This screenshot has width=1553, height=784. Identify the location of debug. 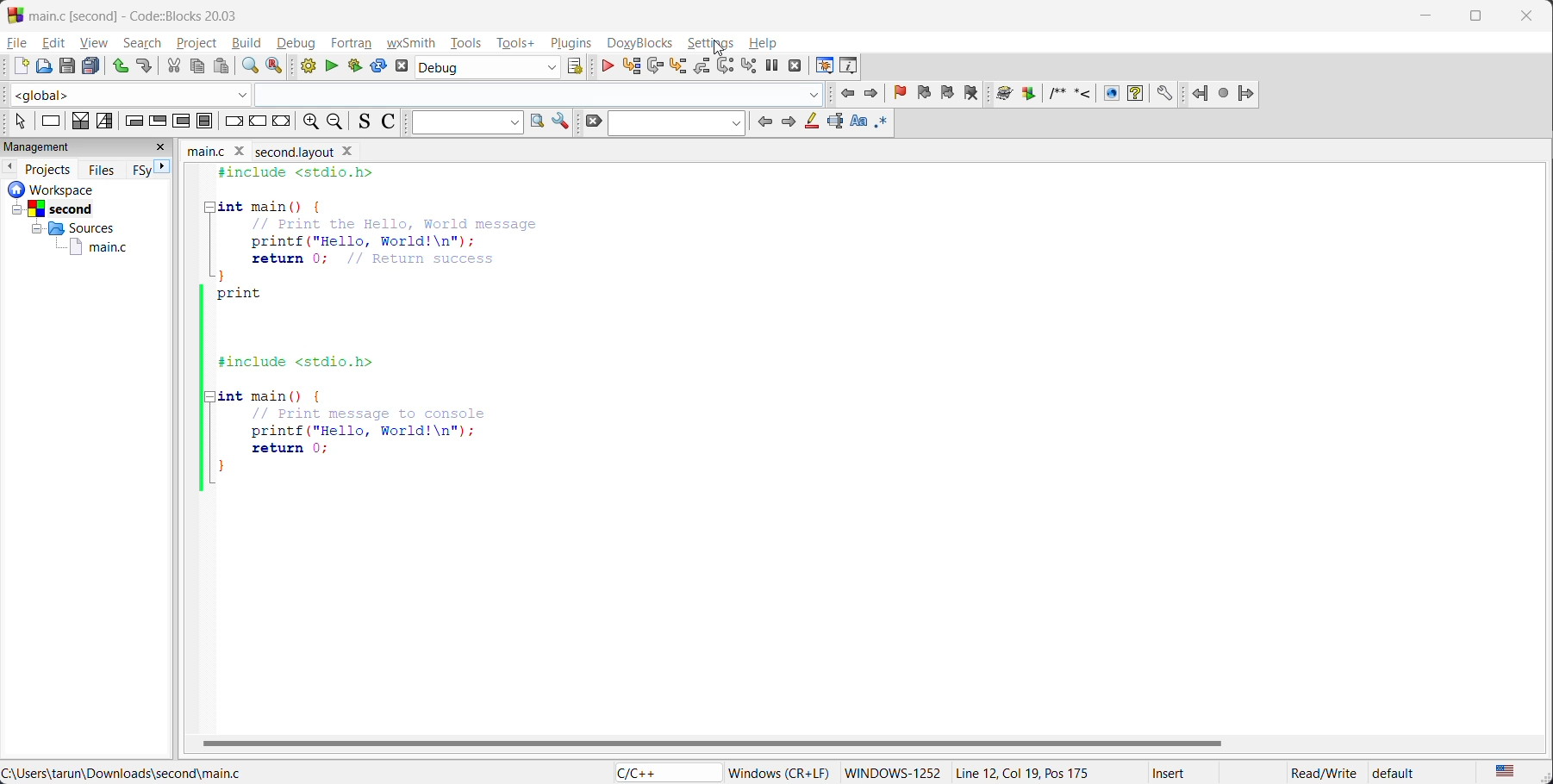
(297, 44).